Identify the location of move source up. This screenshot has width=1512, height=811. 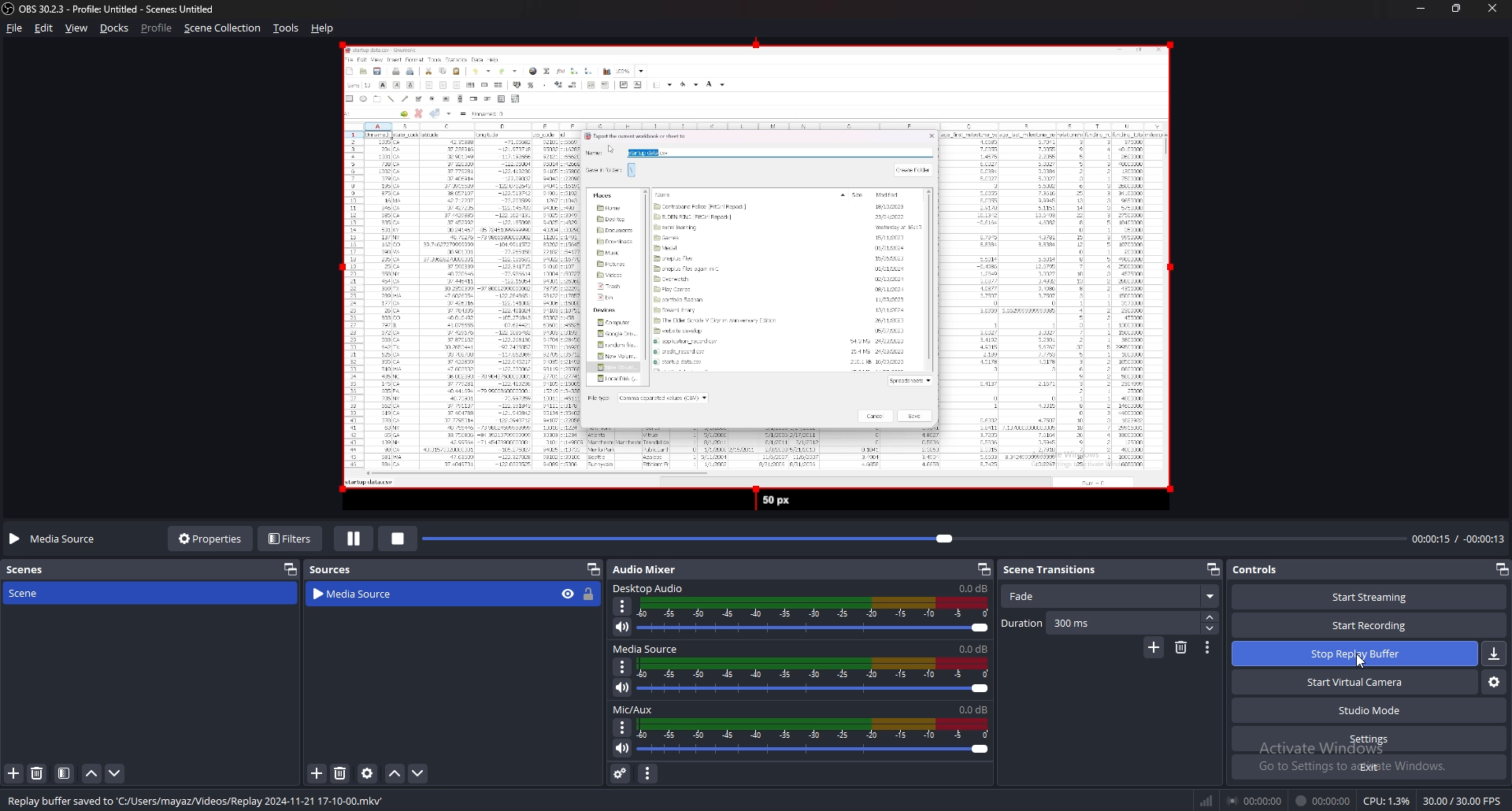
(395, 773).